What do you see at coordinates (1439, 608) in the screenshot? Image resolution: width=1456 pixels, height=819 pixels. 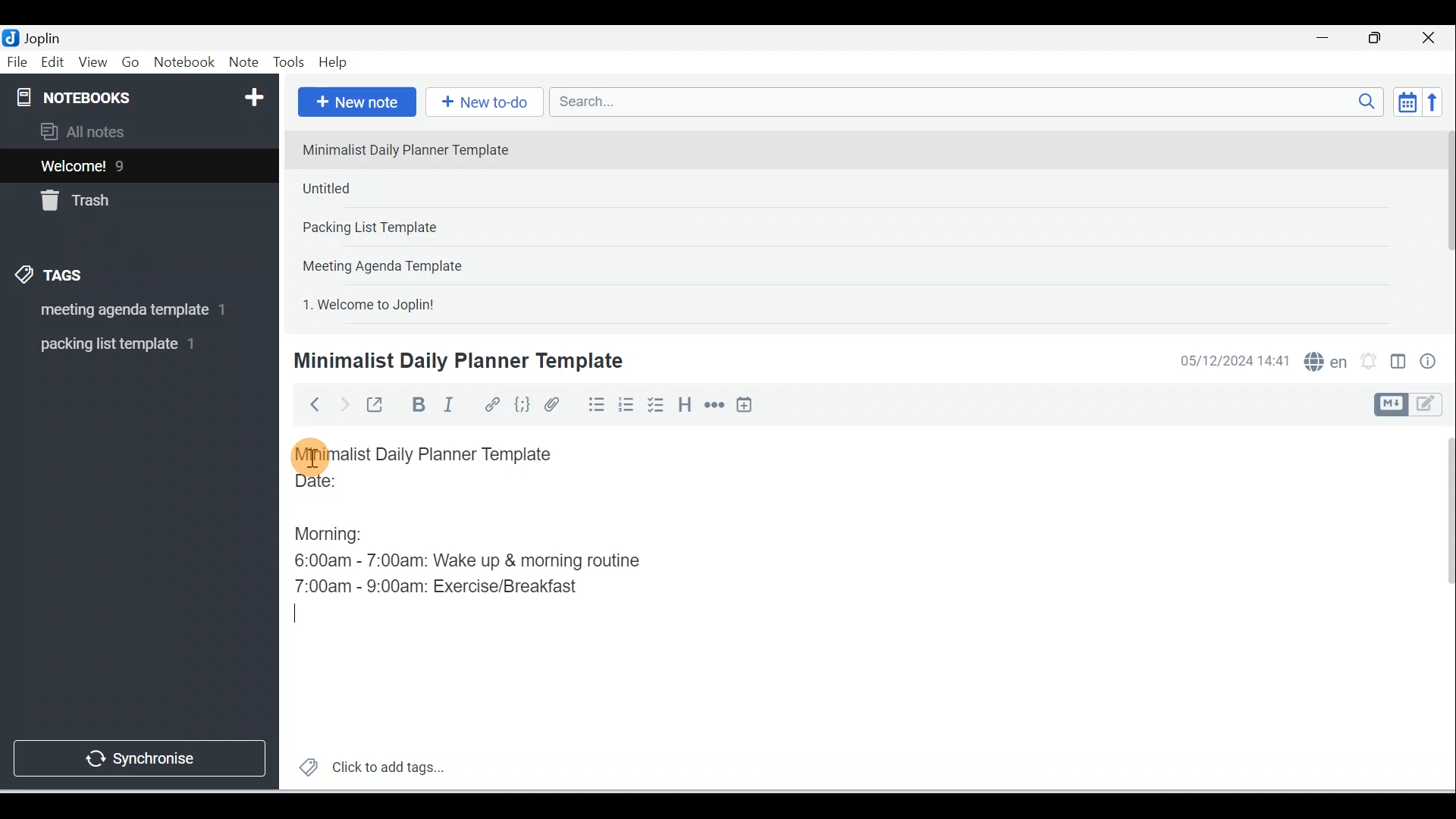 I see `Scroll bar` at bounding box center [1439, 608].